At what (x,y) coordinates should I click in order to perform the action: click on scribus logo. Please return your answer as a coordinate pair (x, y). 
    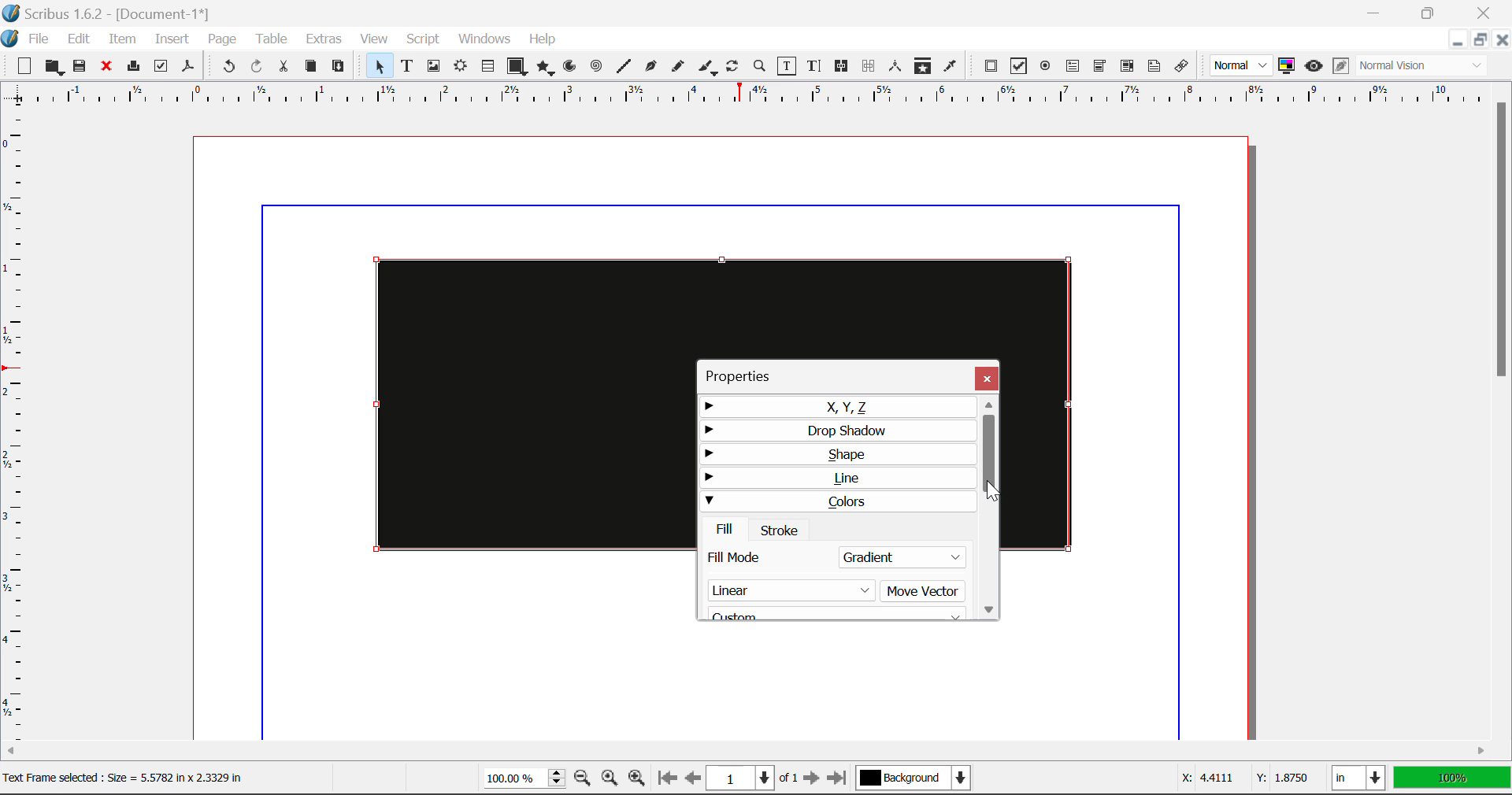
    Looking at the image, I should click on (22, 40).